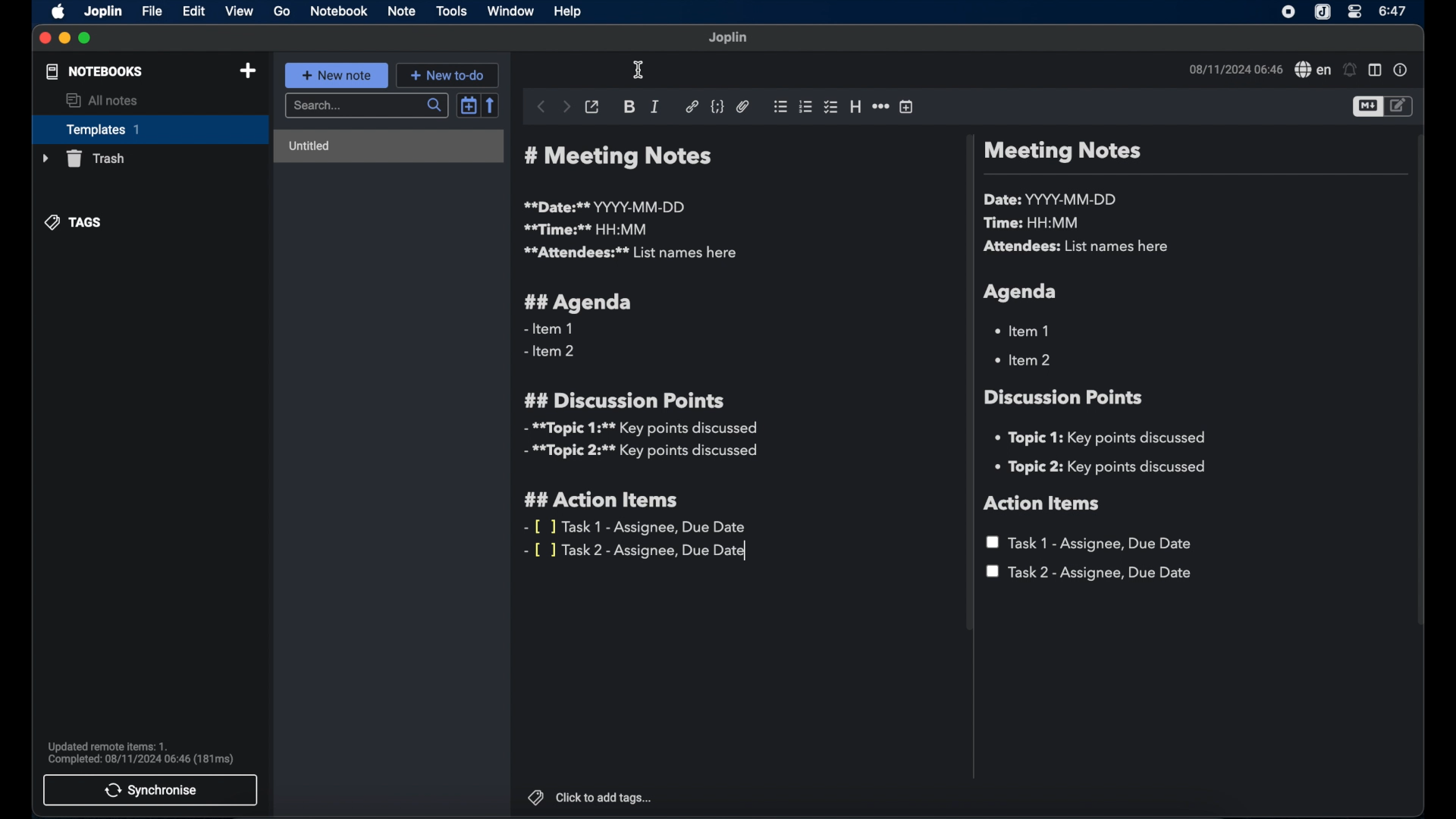 This screenshot has height=819, width=1456. I want to click on close, so click(45, 39).